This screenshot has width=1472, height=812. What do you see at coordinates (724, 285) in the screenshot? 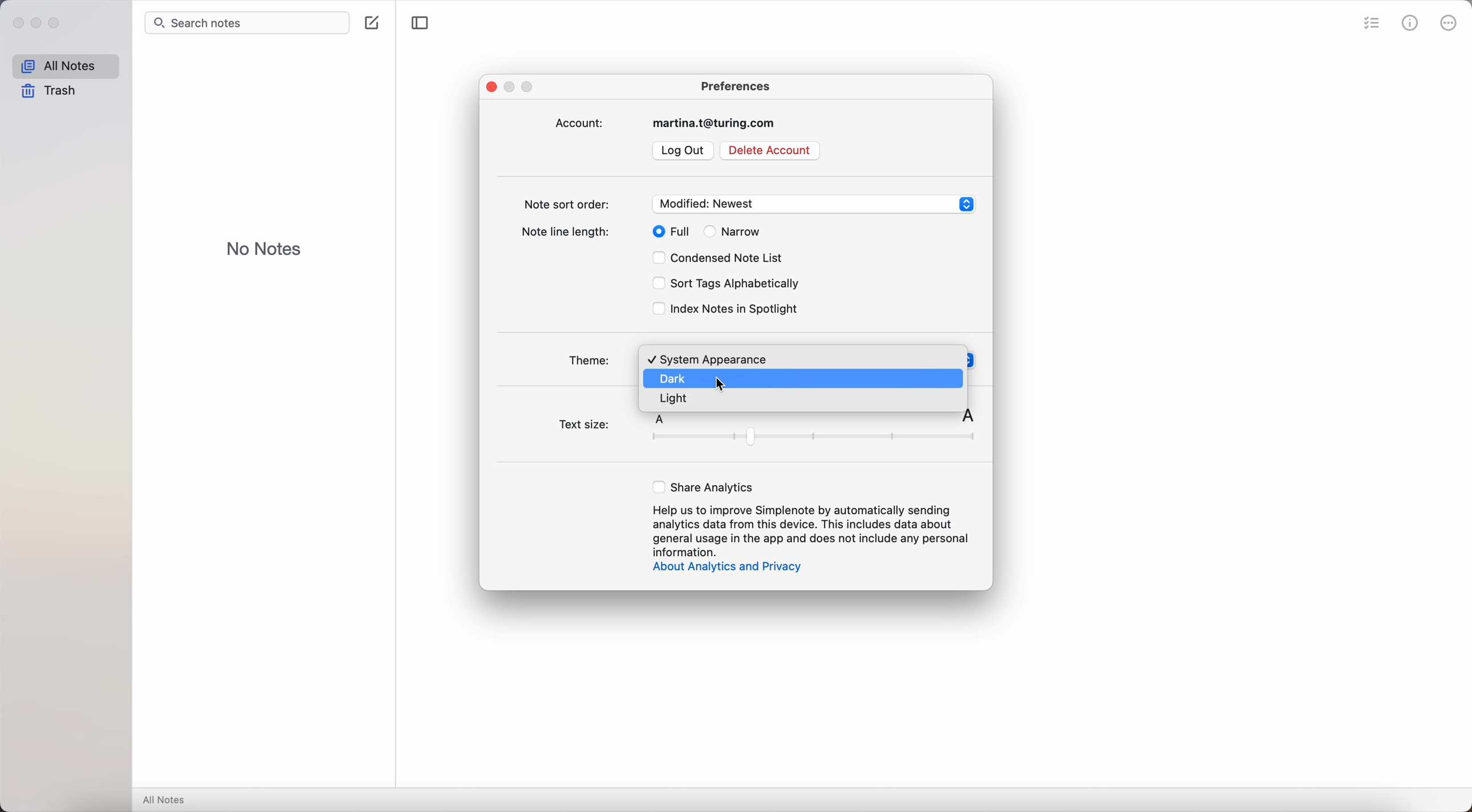
I see `sort tags alphabetically` at bounding box center [724, 285].